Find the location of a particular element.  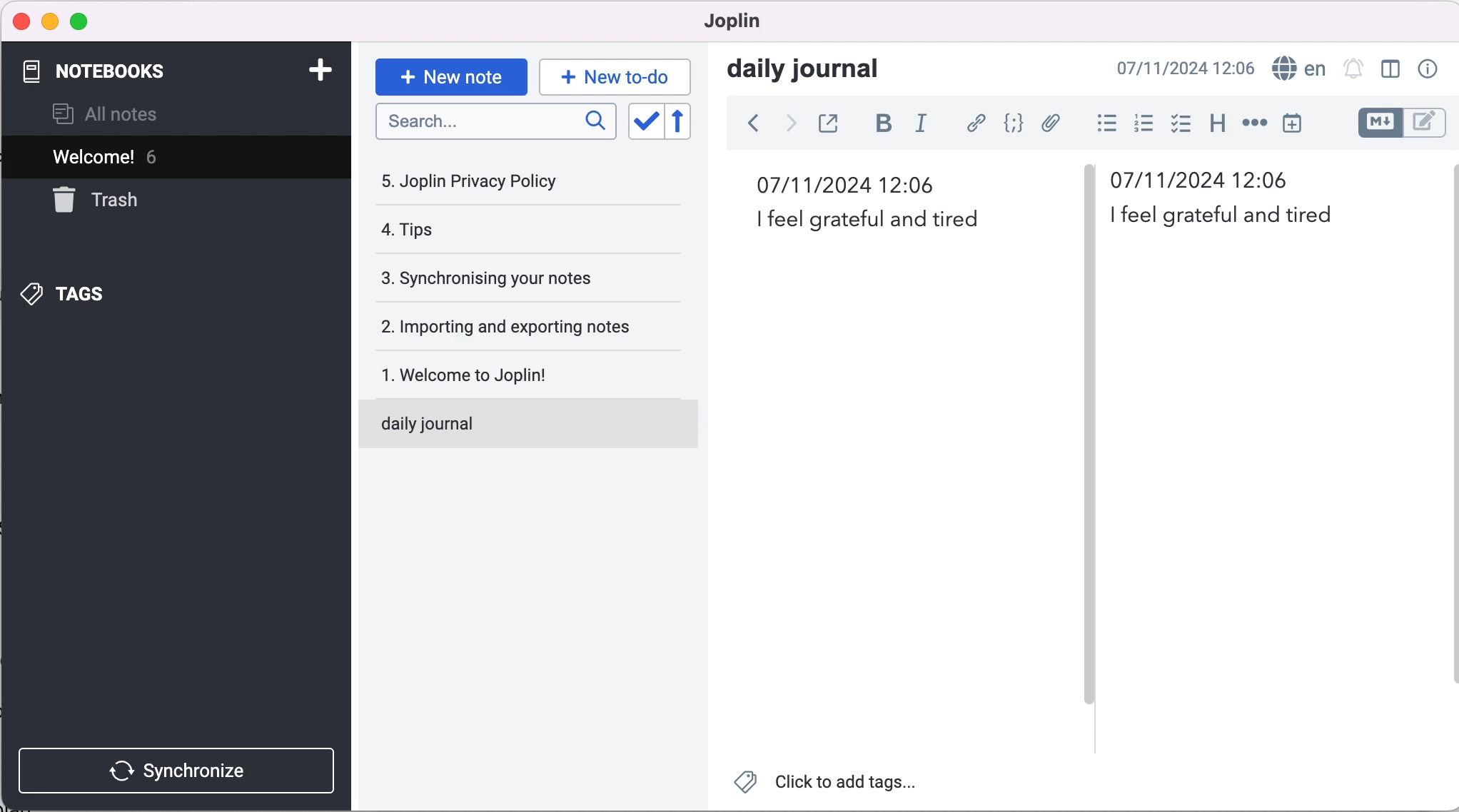

bold is located at coordinates (881, 124).